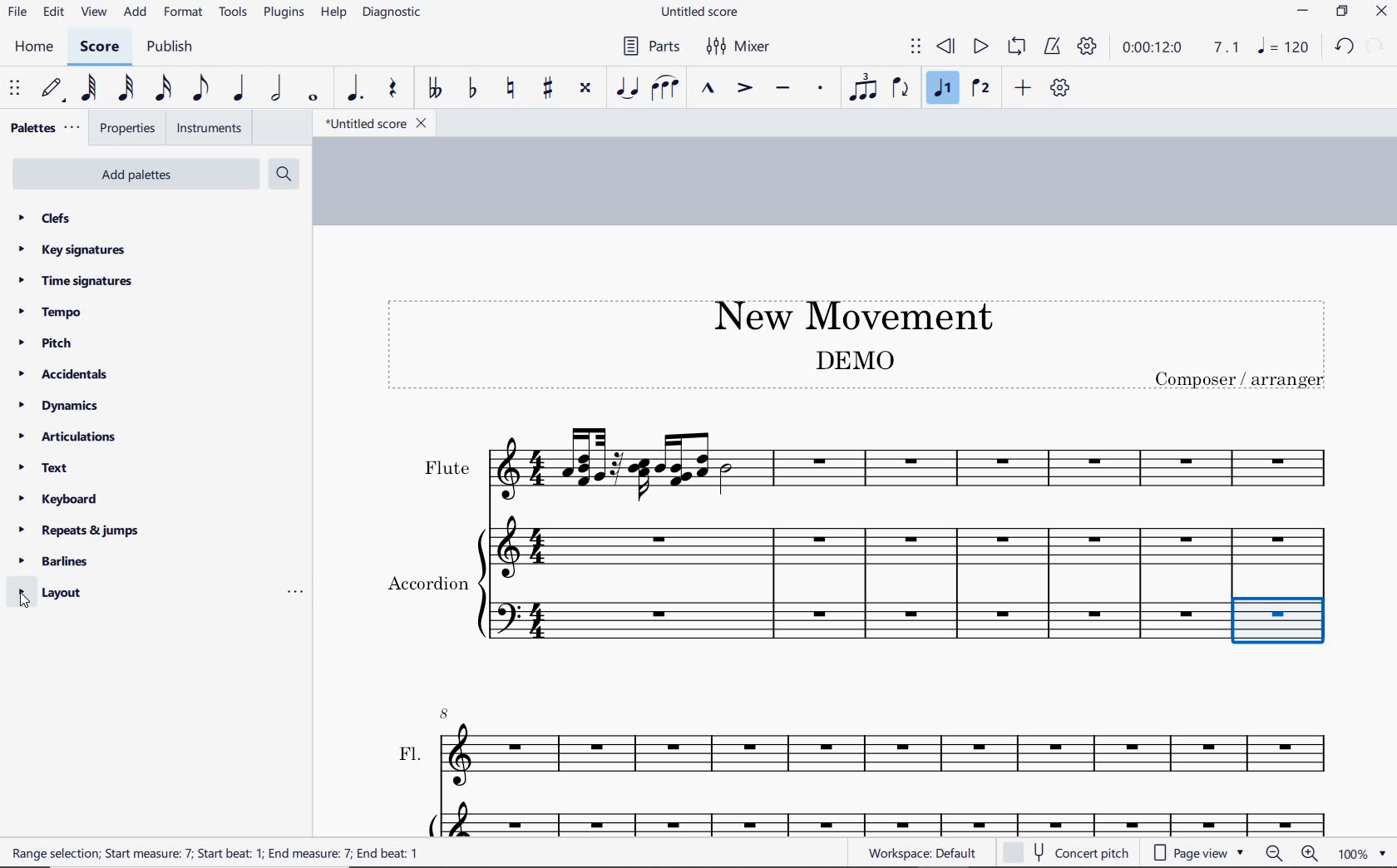  I want to click on toggle sharp, so click(550, 89).